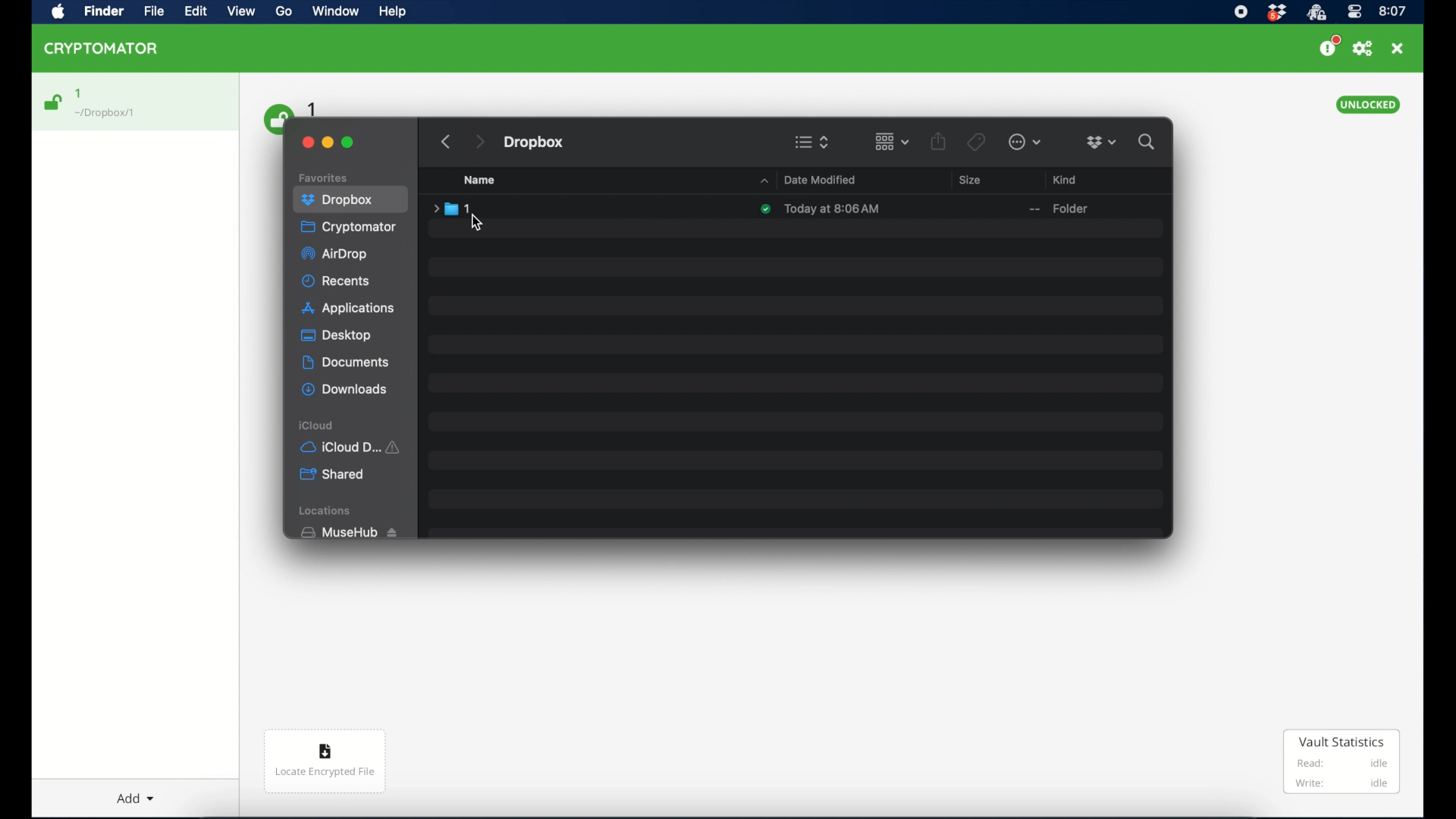 The image size is (1456, 819). Describe the element at coordinates (480, 141) in the screenshot. I see `next` at that location.